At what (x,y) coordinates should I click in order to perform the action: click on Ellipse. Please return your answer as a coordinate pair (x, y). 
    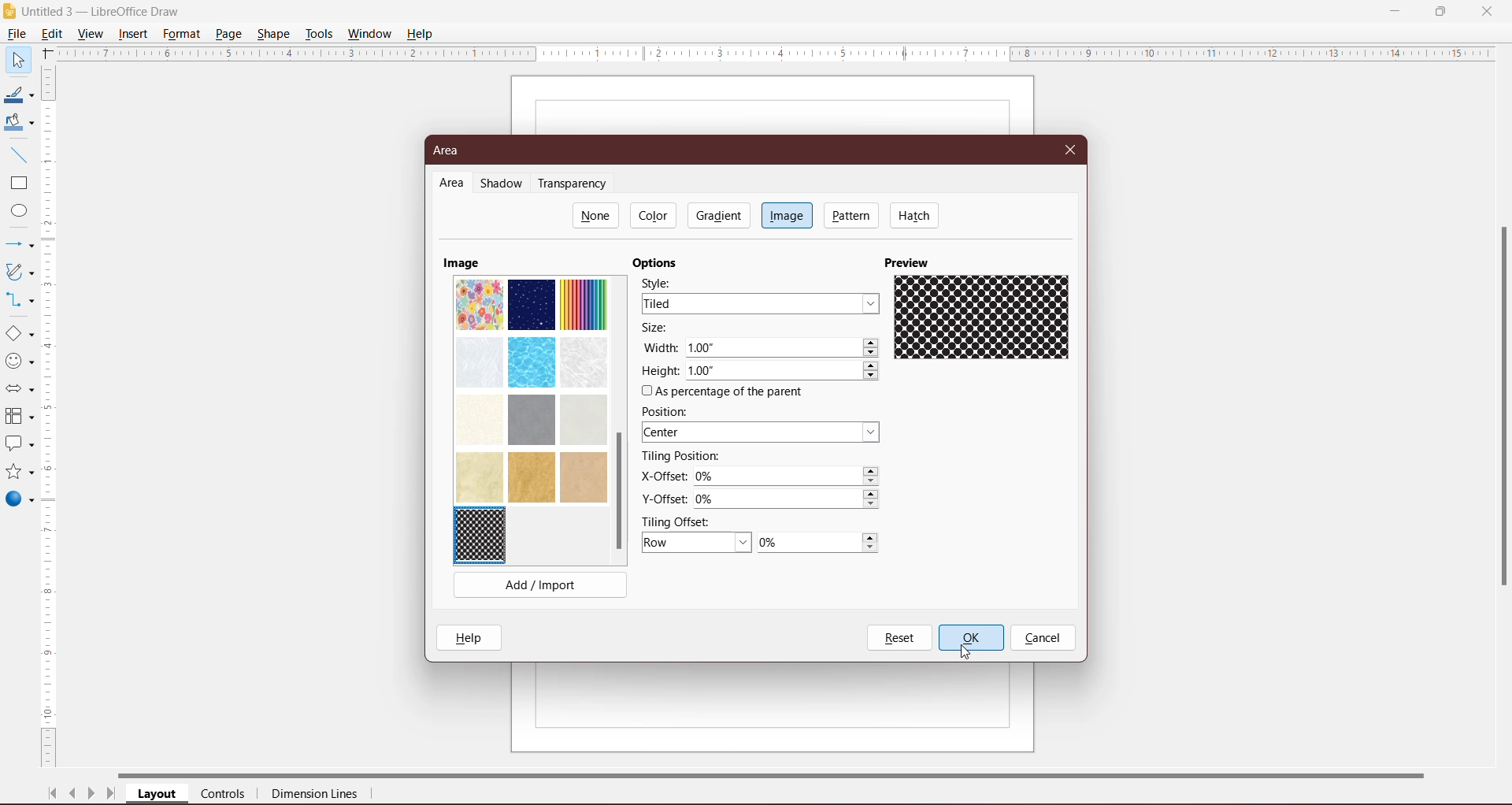
    Looking at the image, I should click on (15, 213).